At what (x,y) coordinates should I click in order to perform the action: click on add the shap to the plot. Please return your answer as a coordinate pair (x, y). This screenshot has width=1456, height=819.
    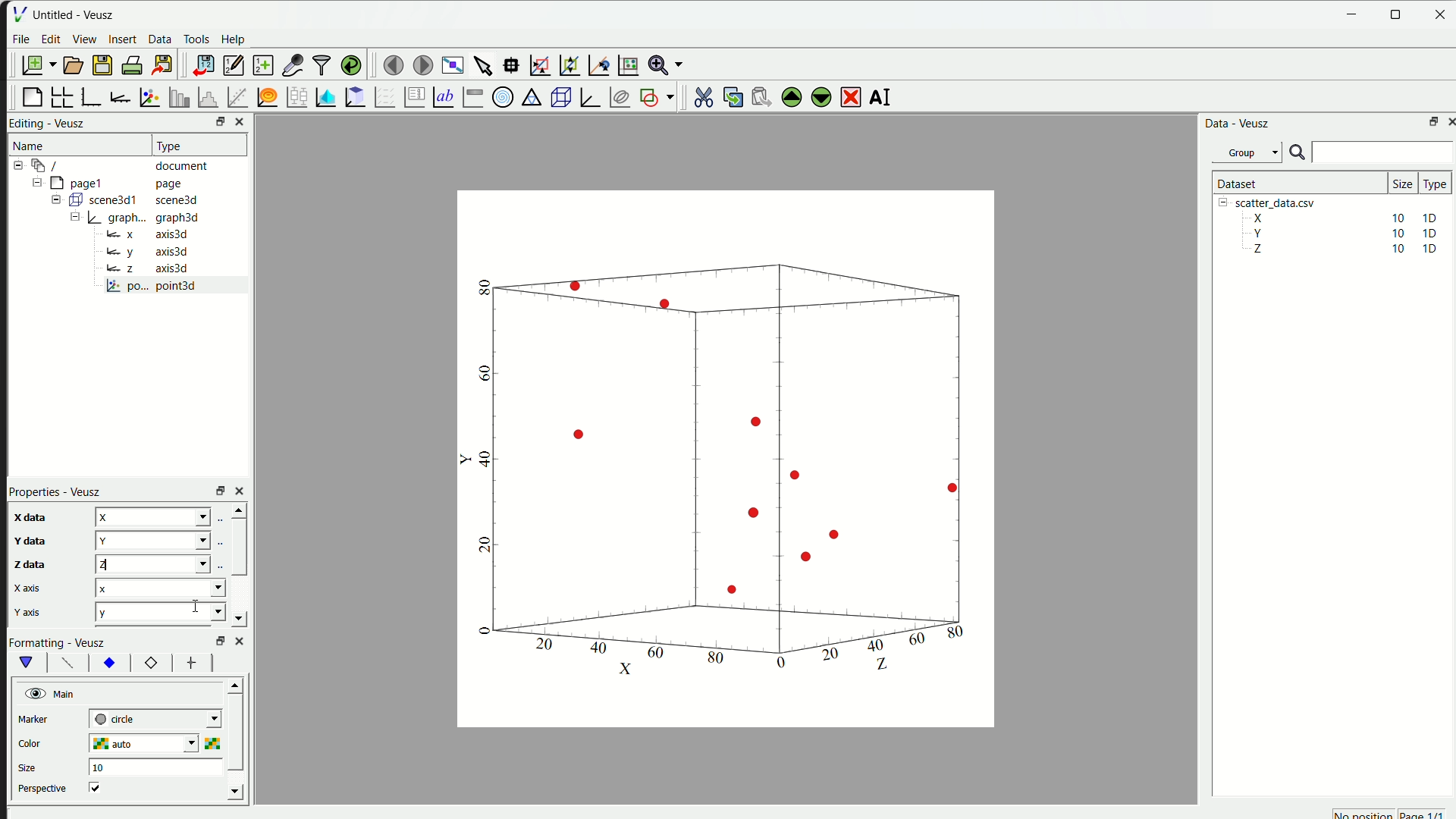
    Looking at the image, I should click on (656, 96).